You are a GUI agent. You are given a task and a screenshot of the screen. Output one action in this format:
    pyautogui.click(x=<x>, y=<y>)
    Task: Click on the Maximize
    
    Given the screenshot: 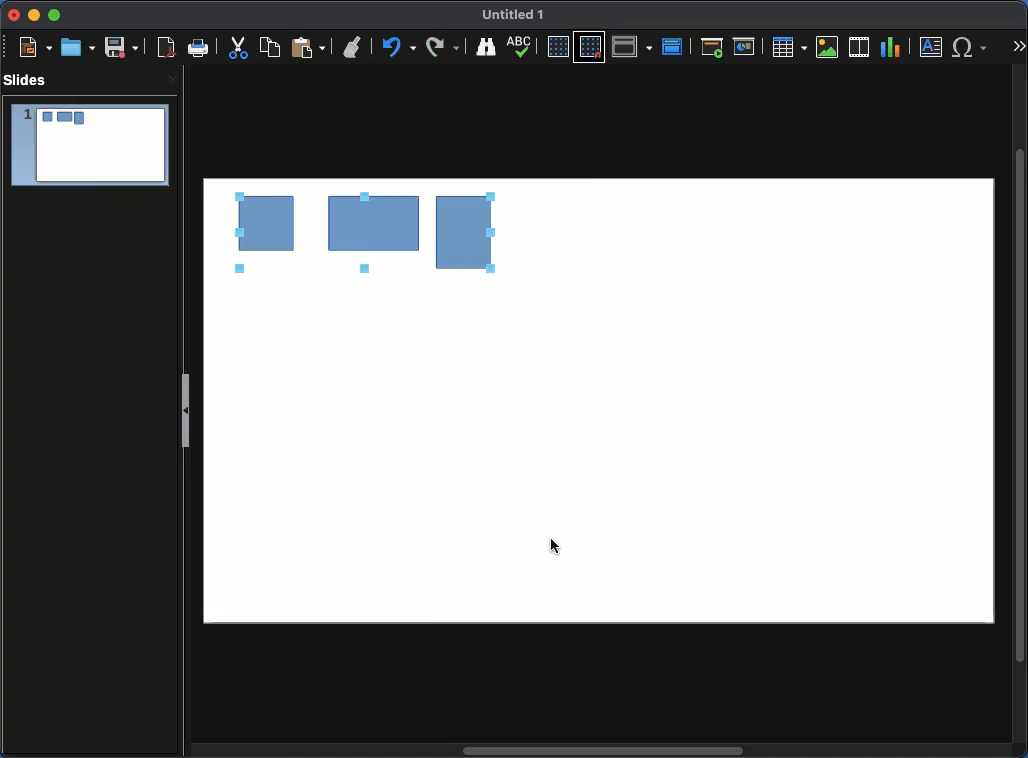 What is the action you would take?
    pyautogui.click(x=53, y=15)
    